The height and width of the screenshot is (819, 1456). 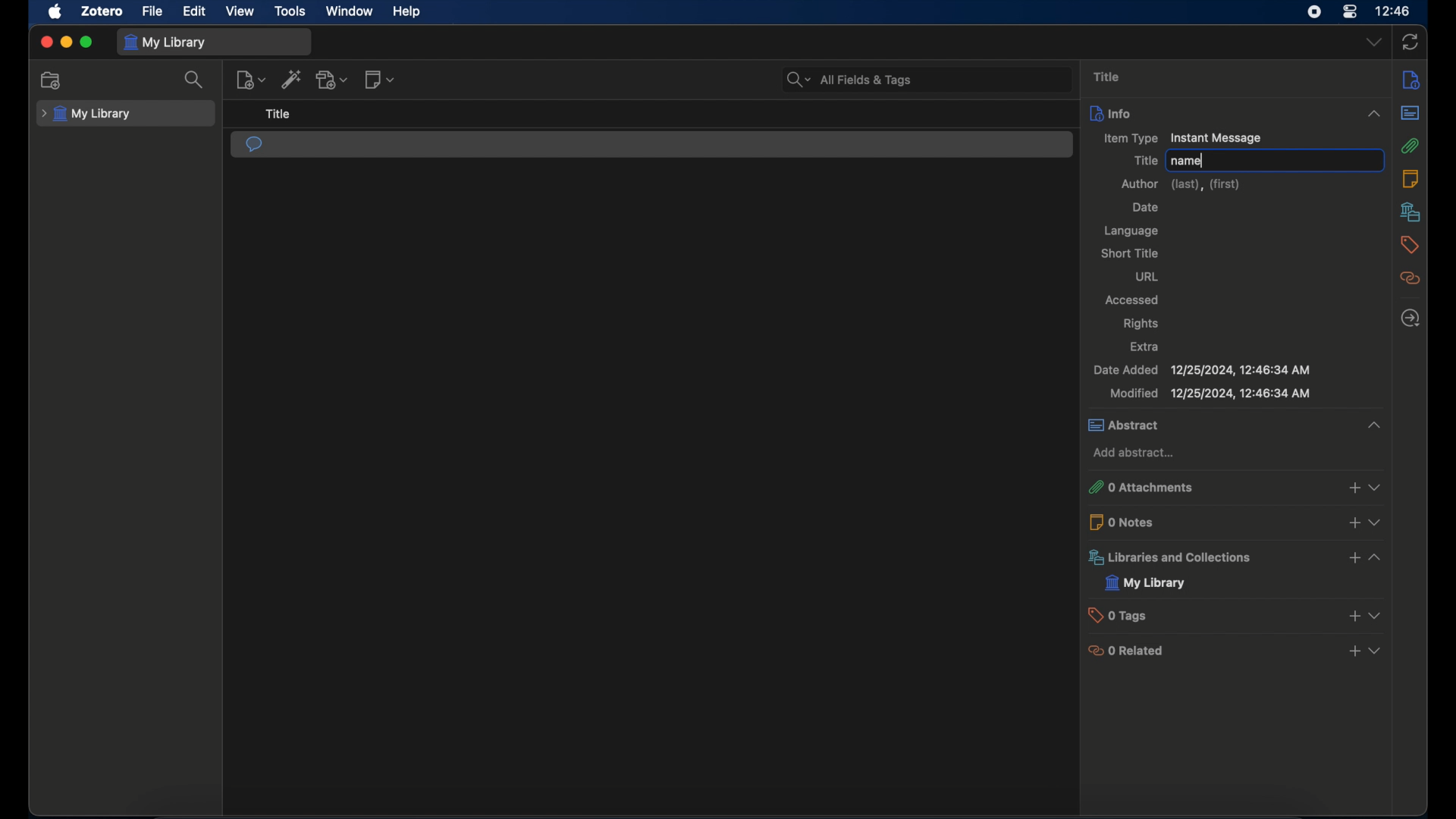 I want to click on search bar, so click(x=849, y=78).